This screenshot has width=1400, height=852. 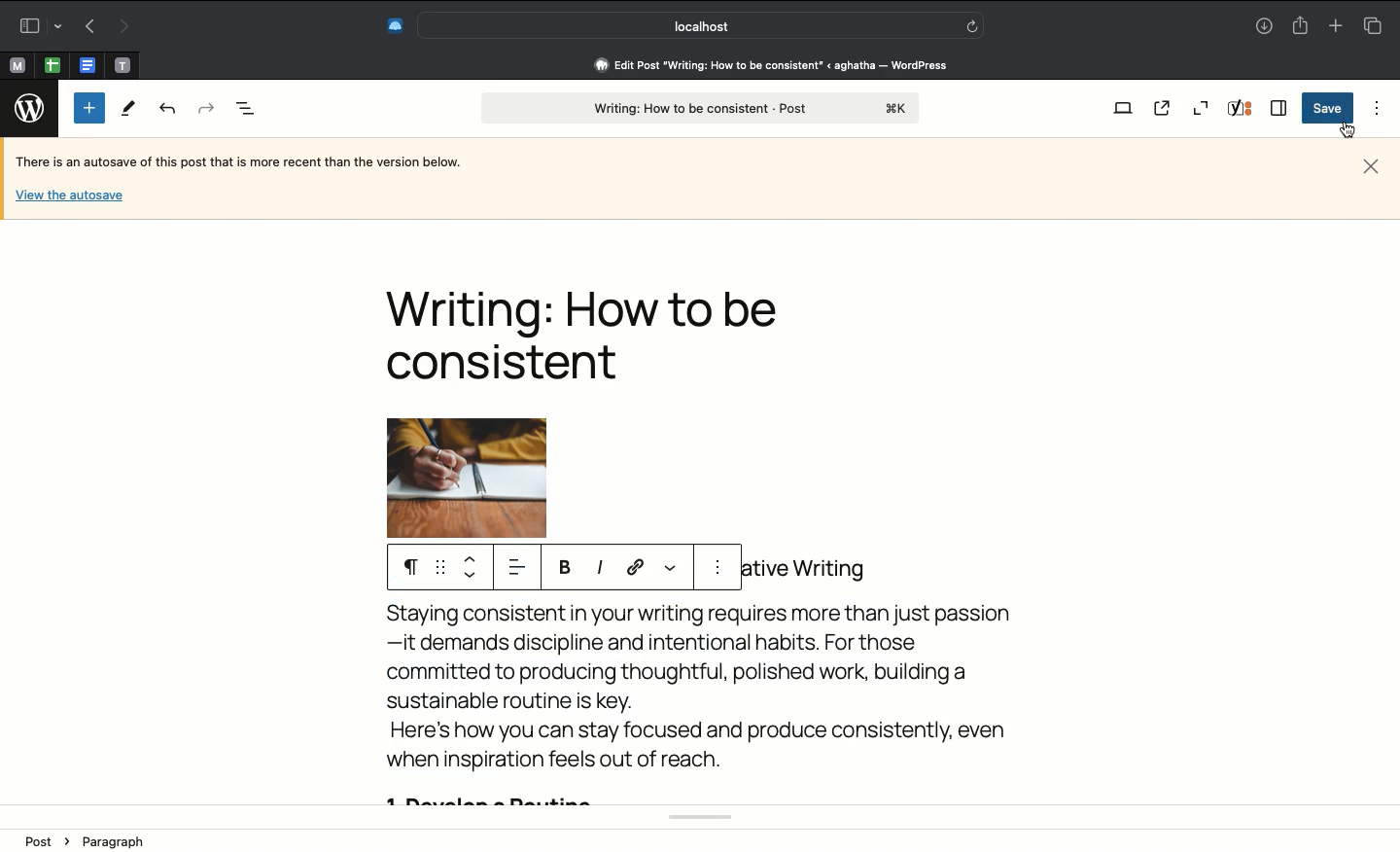 What do you see at coordinates (38, 23) in the screenshot?
I see `Sidebar` at bounding box center [38, 23].